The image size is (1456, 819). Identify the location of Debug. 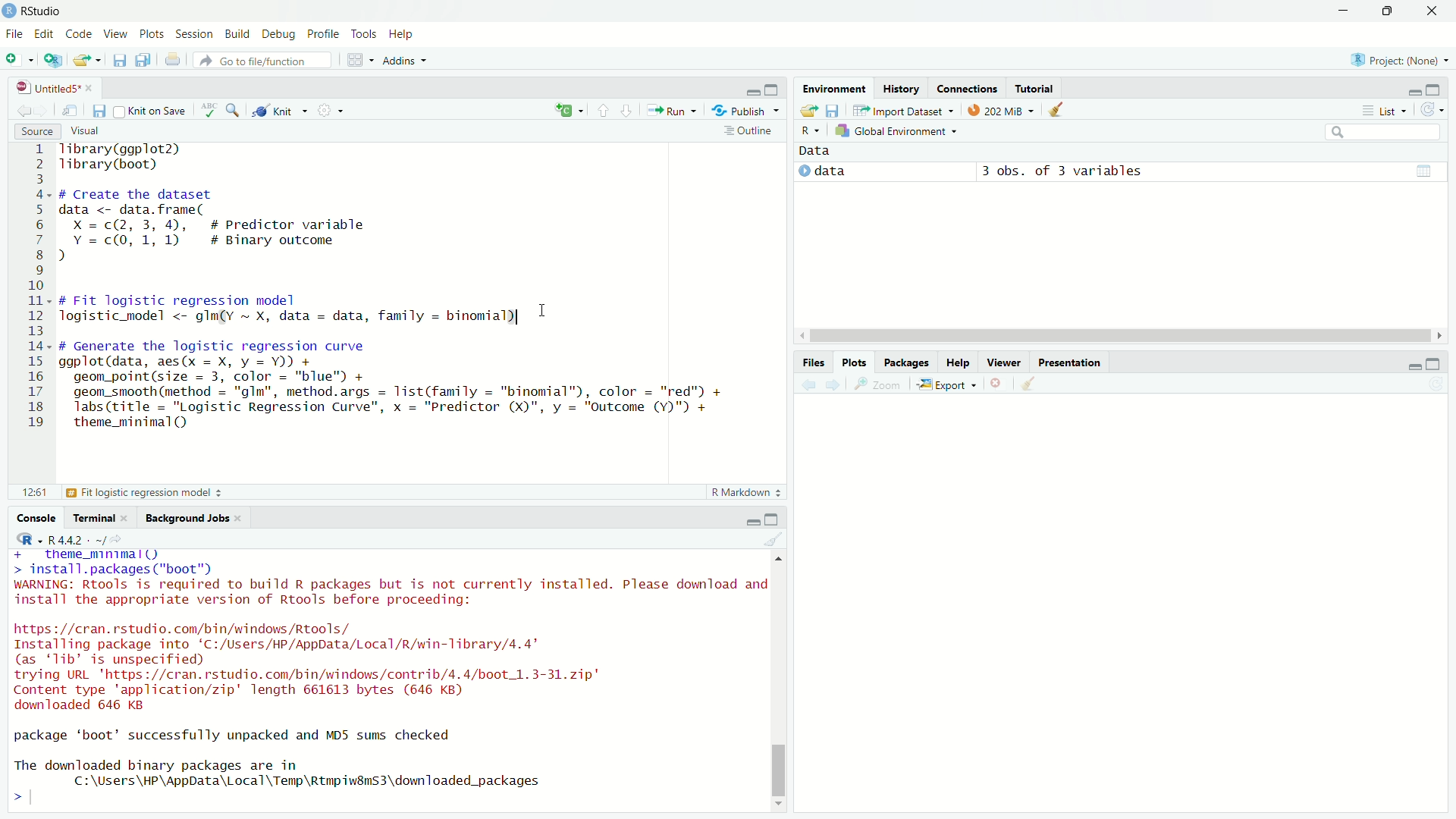
(278, 33).